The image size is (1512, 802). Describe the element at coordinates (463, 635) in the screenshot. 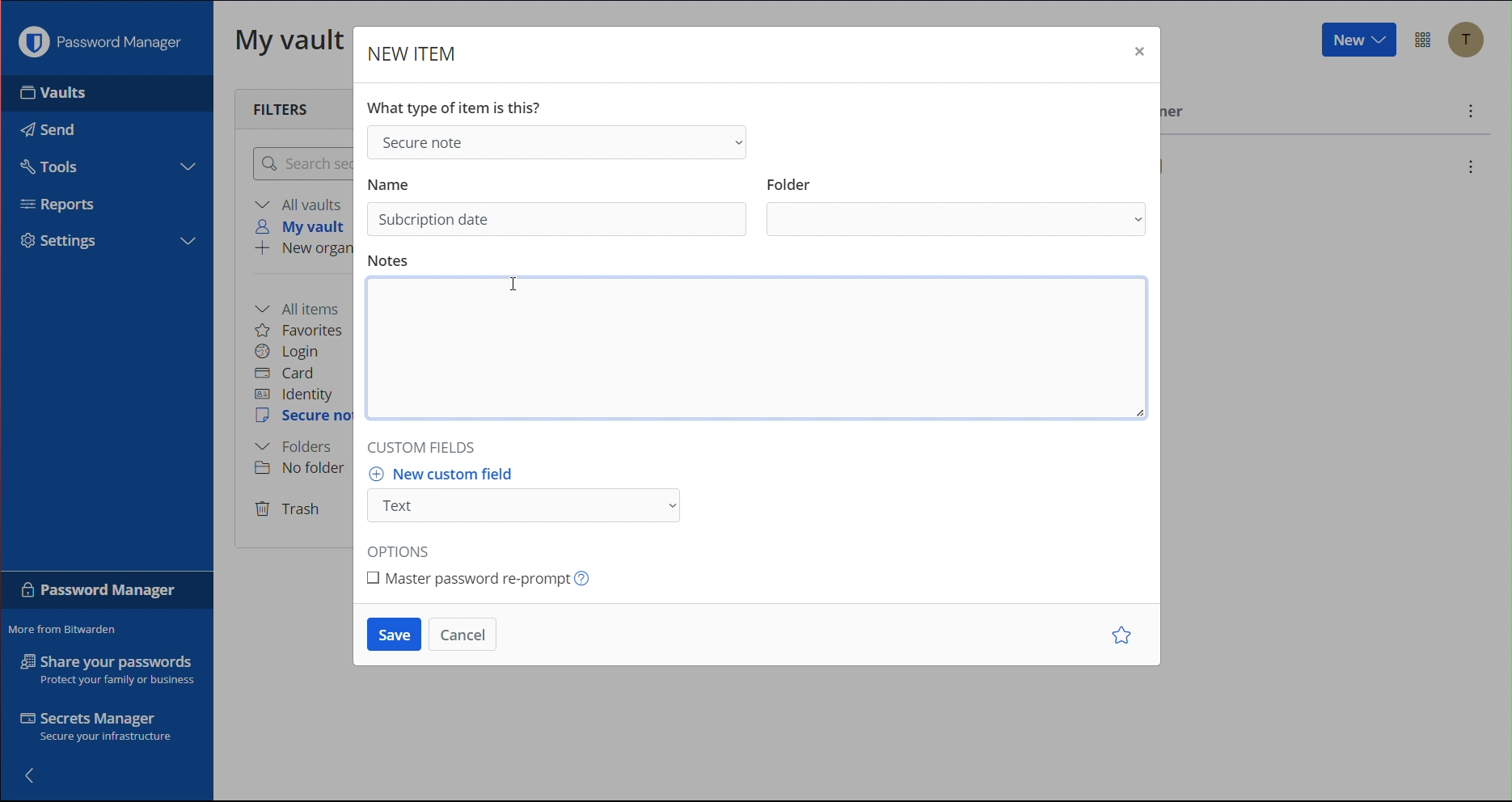

I see `Cancel` at that location.